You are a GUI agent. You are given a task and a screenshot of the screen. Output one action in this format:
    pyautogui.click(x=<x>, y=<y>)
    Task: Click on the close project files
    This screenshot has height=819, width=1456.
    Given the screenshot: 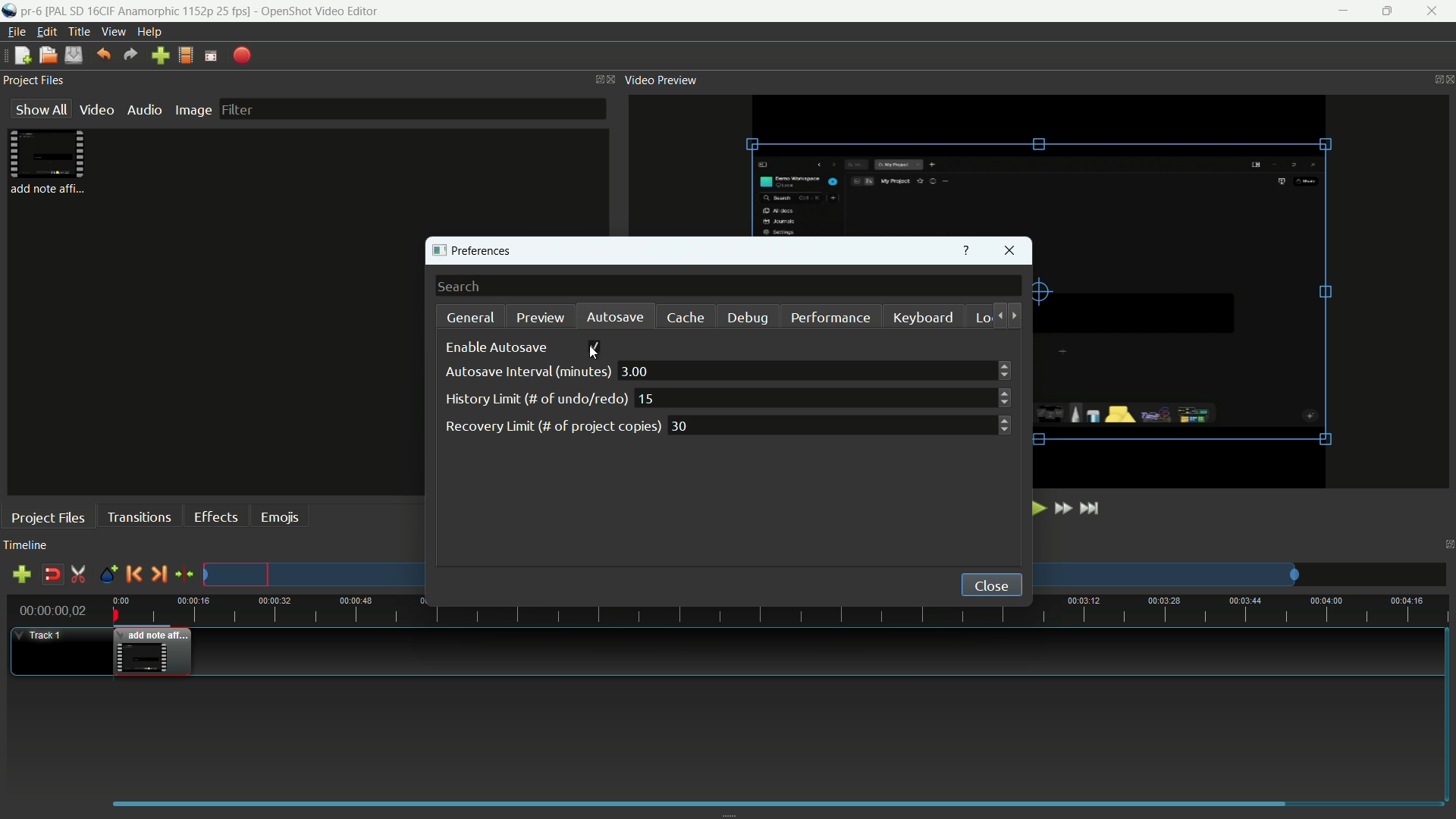 What is the action you would take?
    pyautogui.click(x=613, y=80)
    